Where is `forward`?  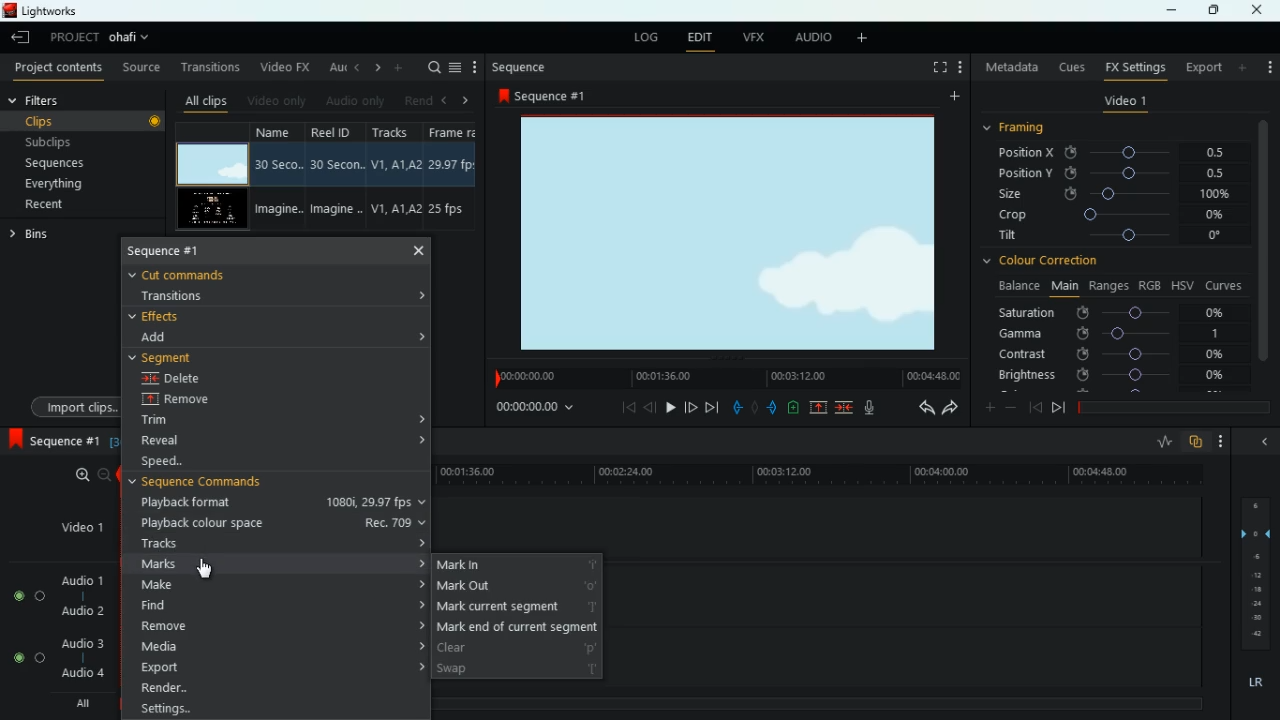
forward is located at coordinates (1058, 410).